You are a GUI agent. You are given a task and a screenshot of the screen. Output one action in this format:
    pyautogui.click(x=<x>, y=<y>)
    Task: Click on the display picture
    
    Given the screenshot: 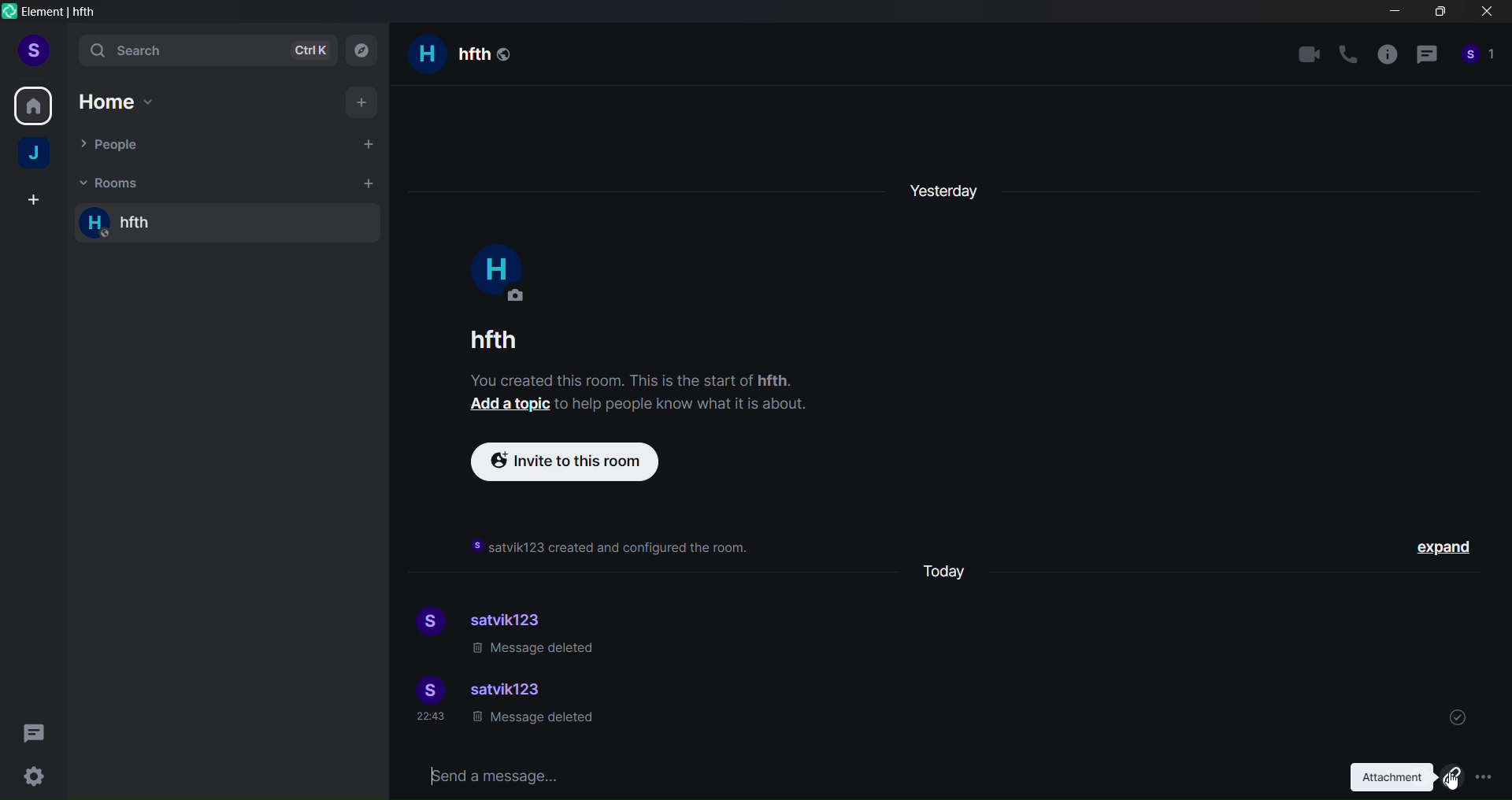 What is the action you would take?
    pyautogui.click(x=497, y=273)
    